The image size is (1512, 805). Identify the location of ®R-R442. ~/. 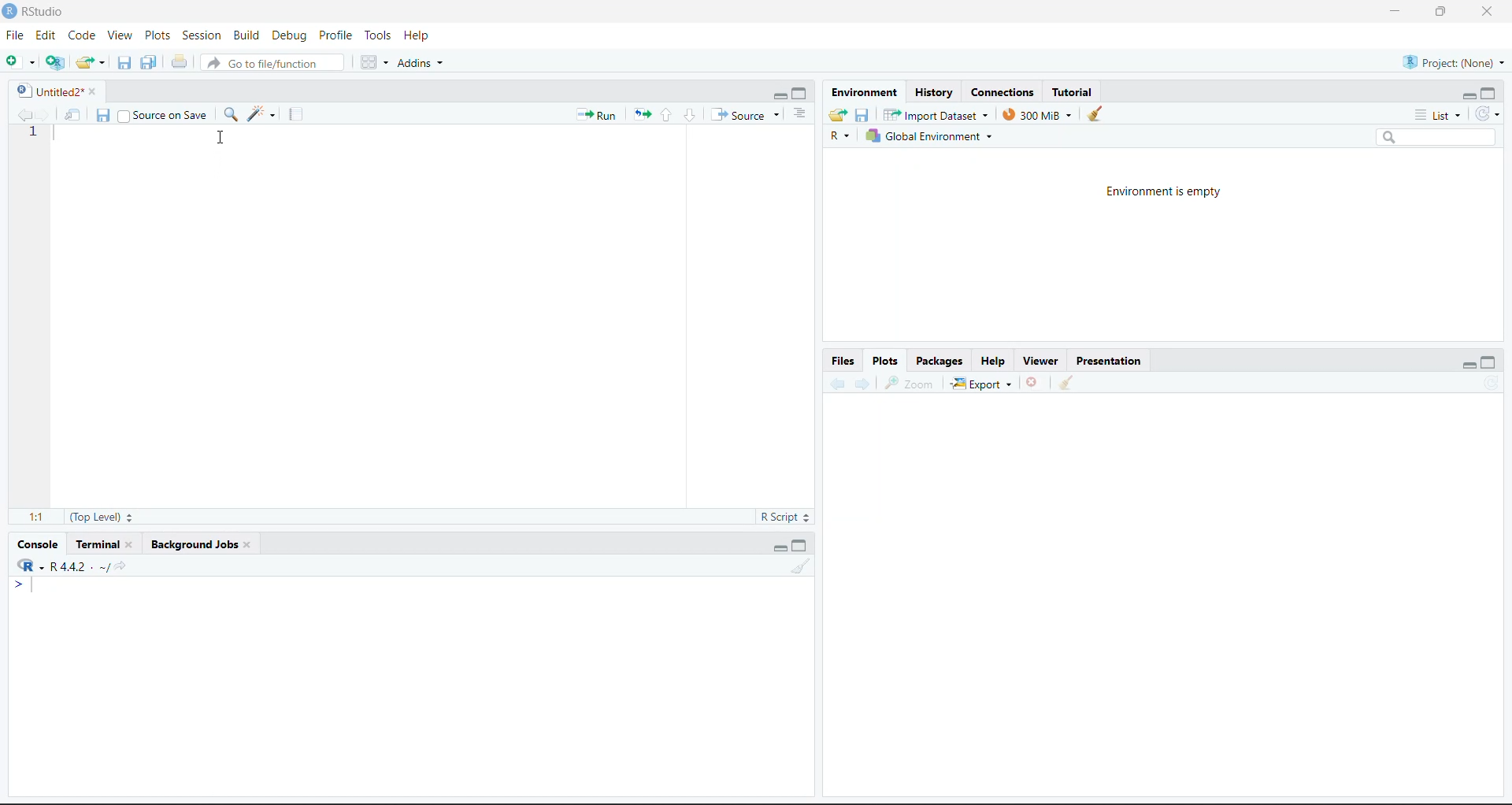
(69, 566).